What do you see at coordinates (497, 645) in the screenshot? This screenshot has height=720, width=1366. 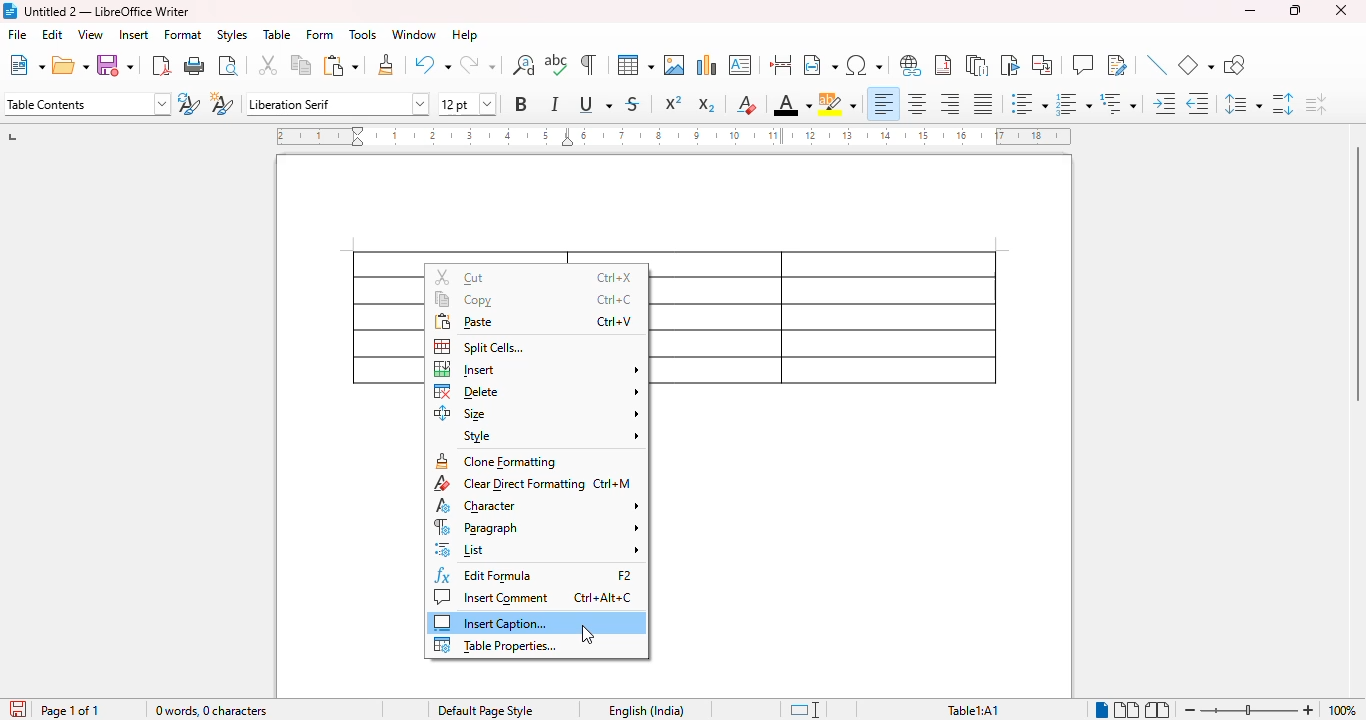 I see `table properties` at bounding box center [497, 645].